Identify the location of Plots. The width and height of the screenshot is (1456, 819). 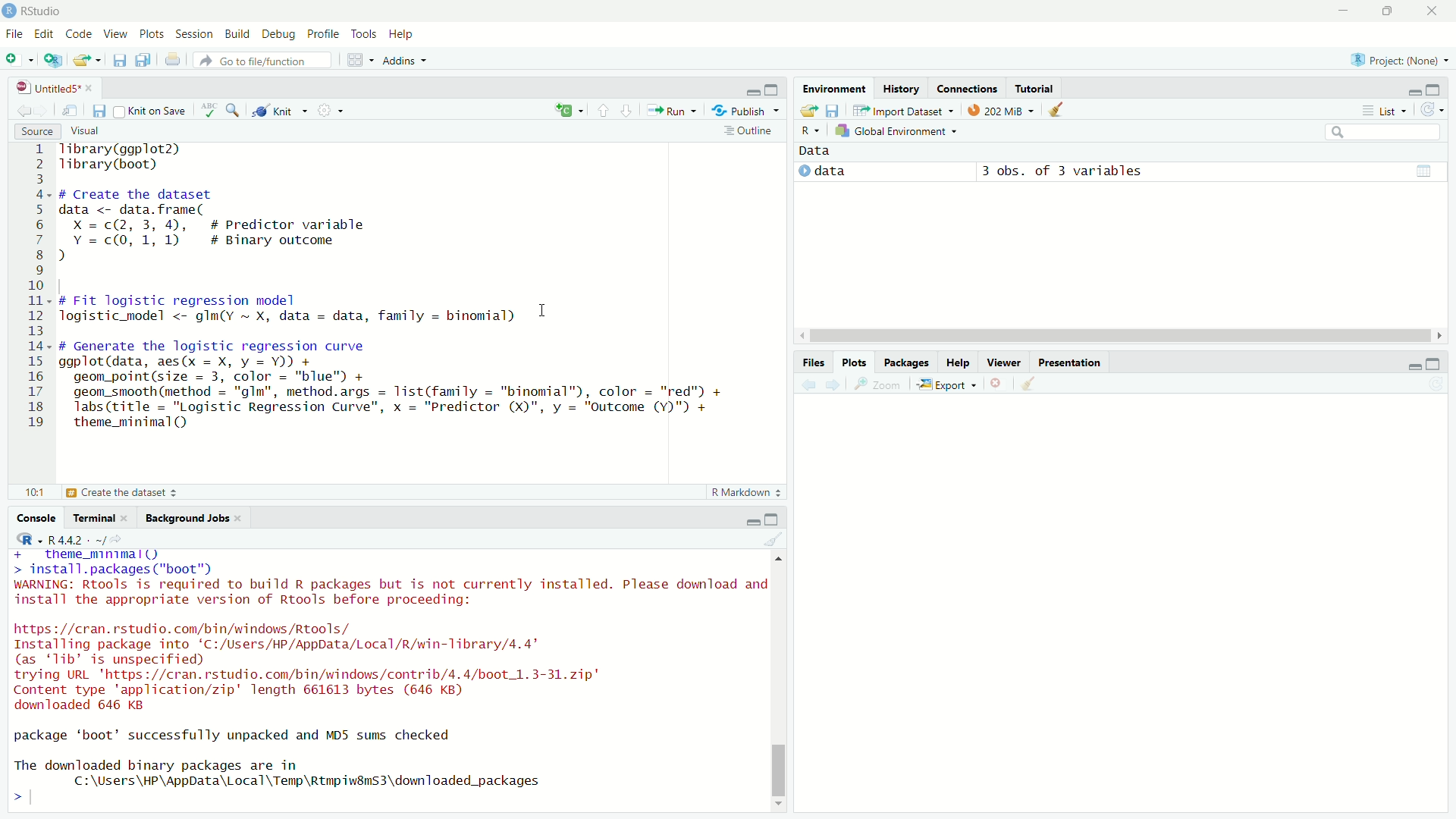
(855, 362).